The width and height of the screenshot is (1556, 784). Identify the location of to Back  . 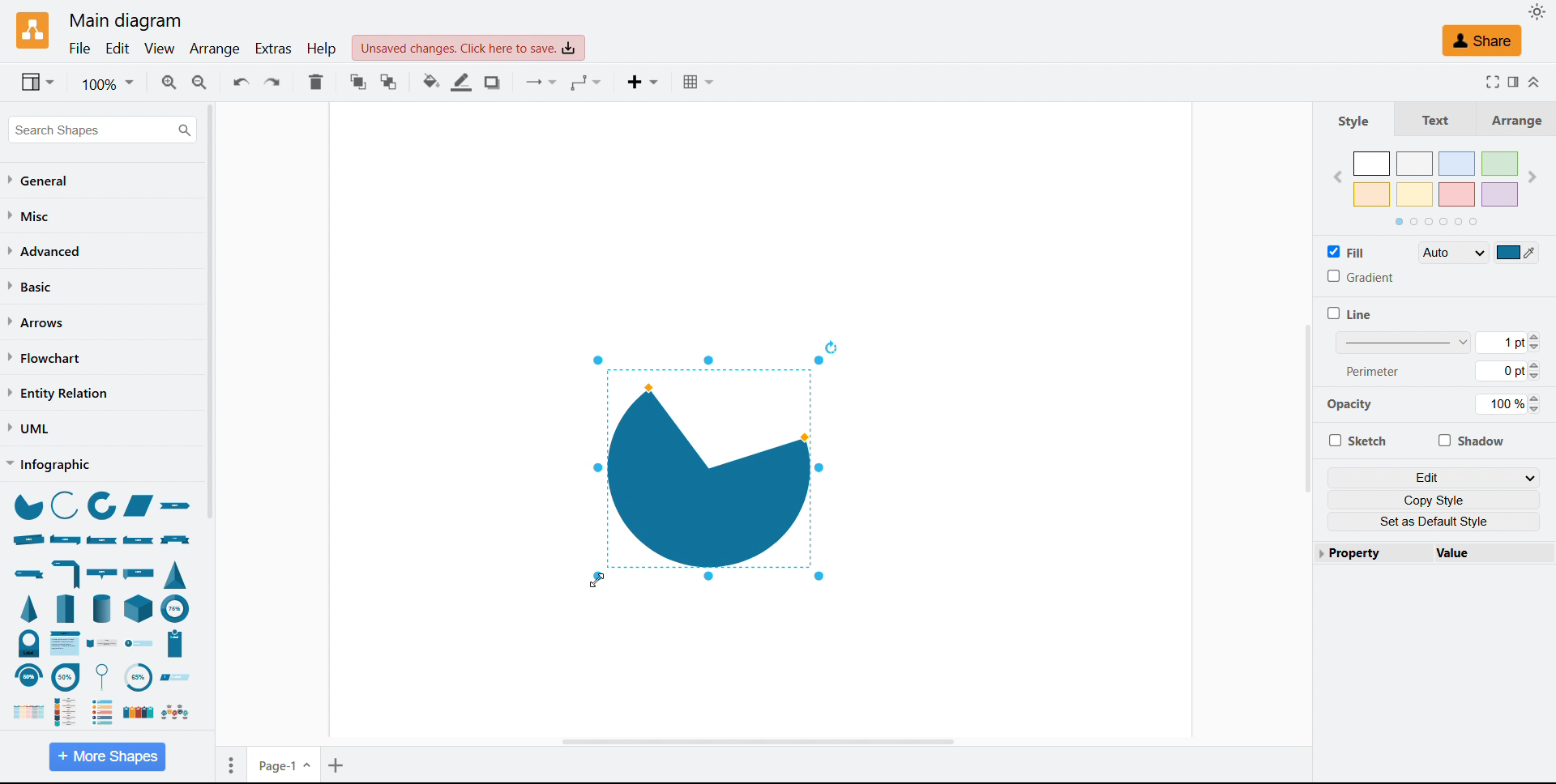
(389, 82).